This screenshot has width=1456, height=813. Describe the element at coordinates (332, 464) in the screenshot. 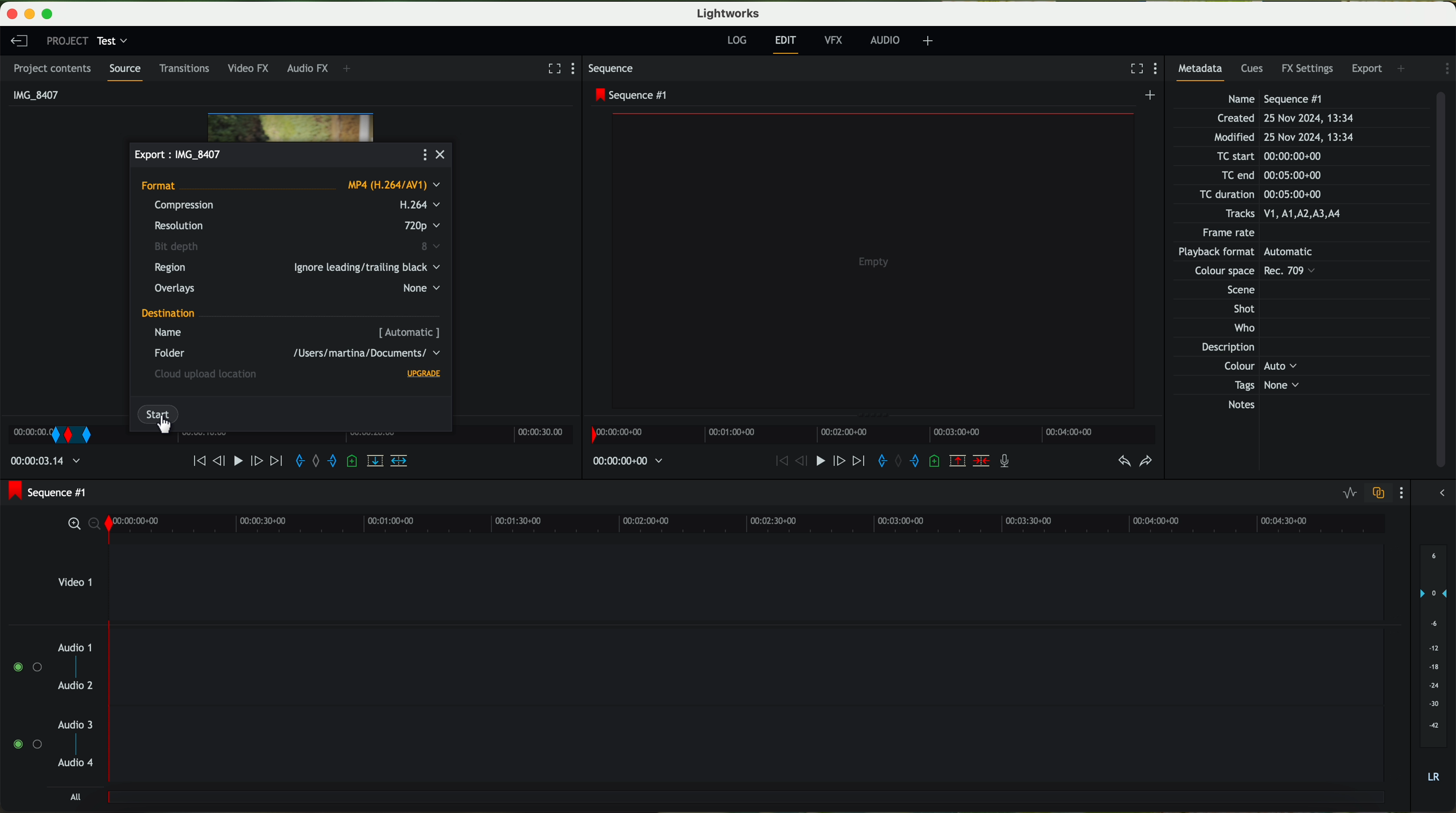

I see `add an out mark` at that location.